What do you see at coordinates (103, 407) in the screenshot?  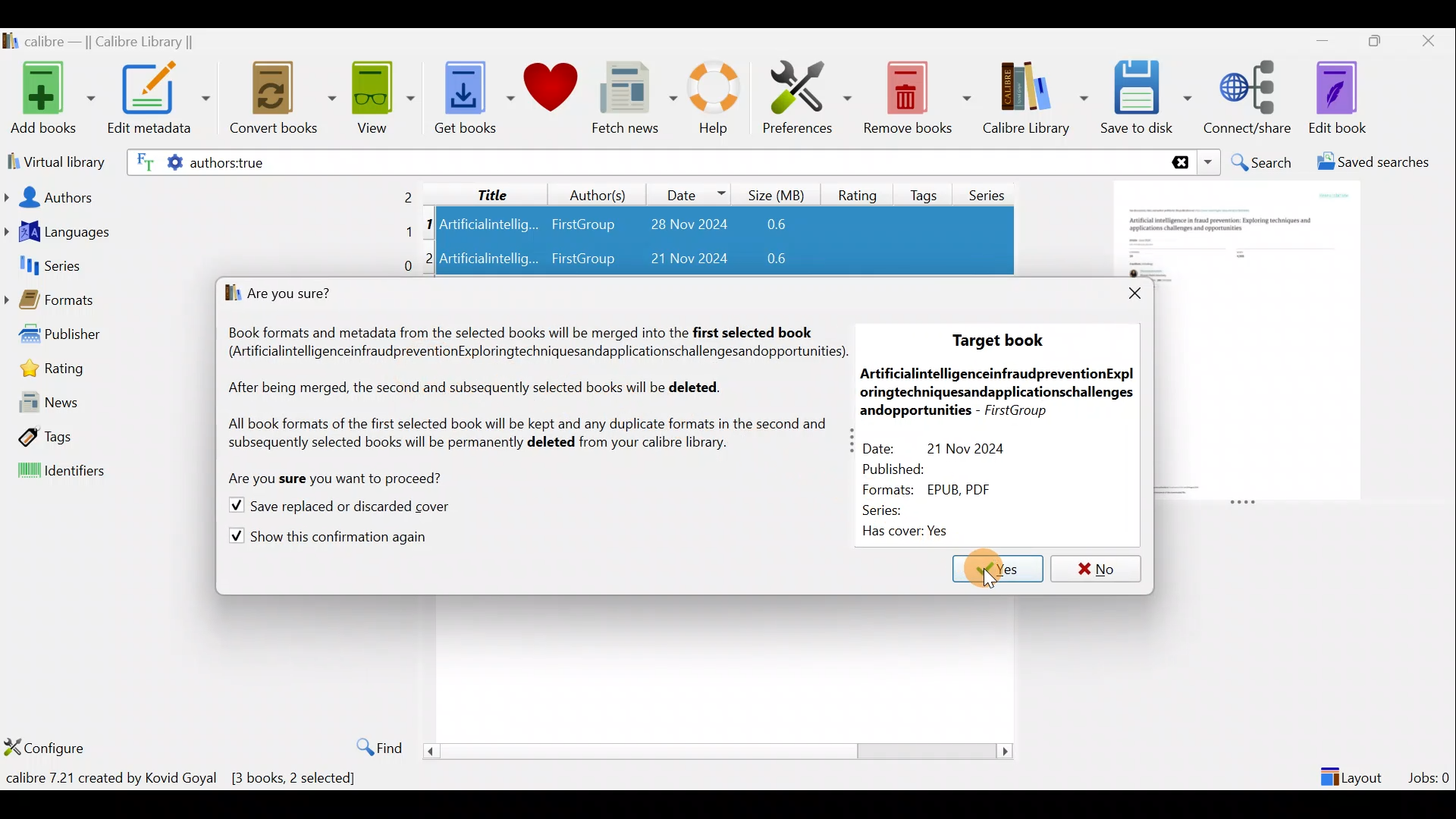 I see `News` at bounding box center [103, 407].